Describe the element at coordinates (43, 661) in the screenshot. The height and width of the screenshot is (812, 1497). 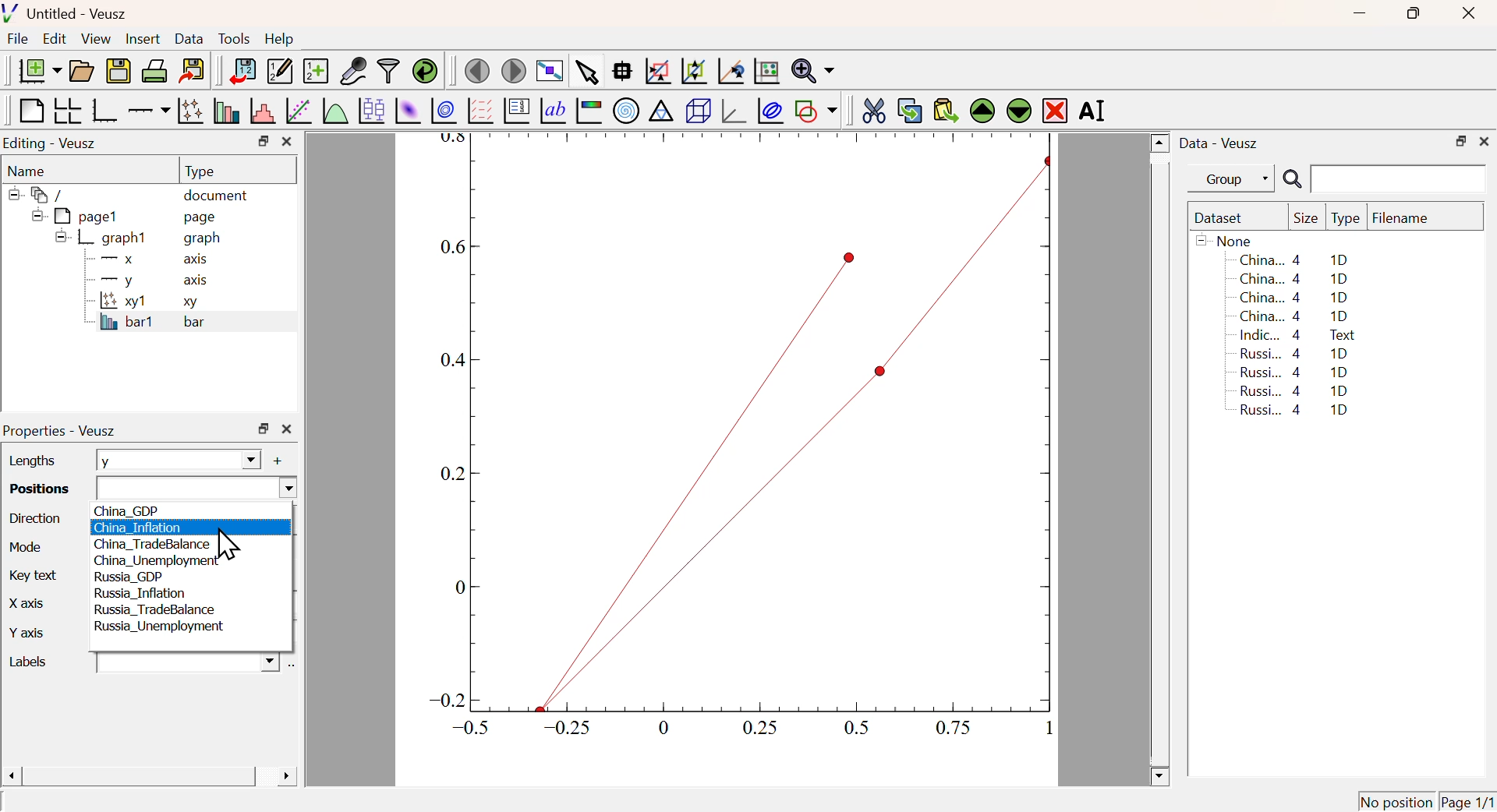
I see `Labels` at that location.